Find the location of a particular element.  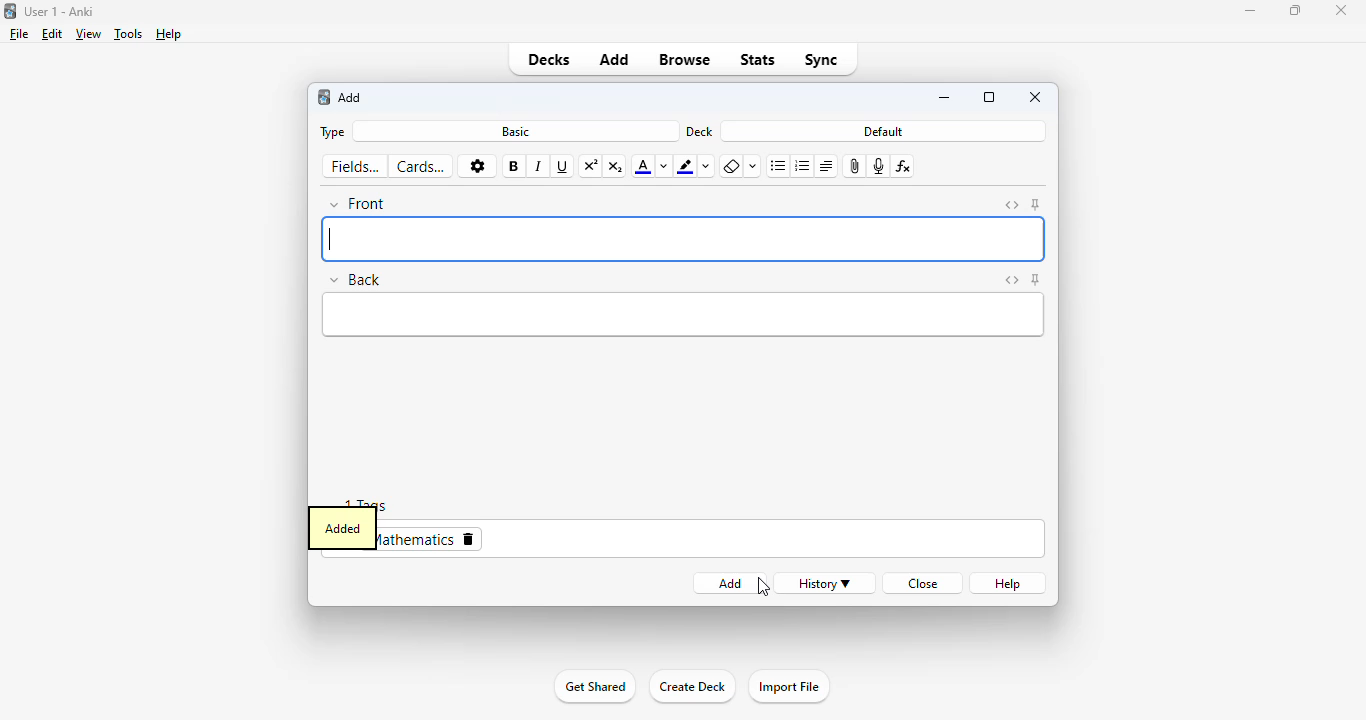

back is located at coordinates (684, 314).